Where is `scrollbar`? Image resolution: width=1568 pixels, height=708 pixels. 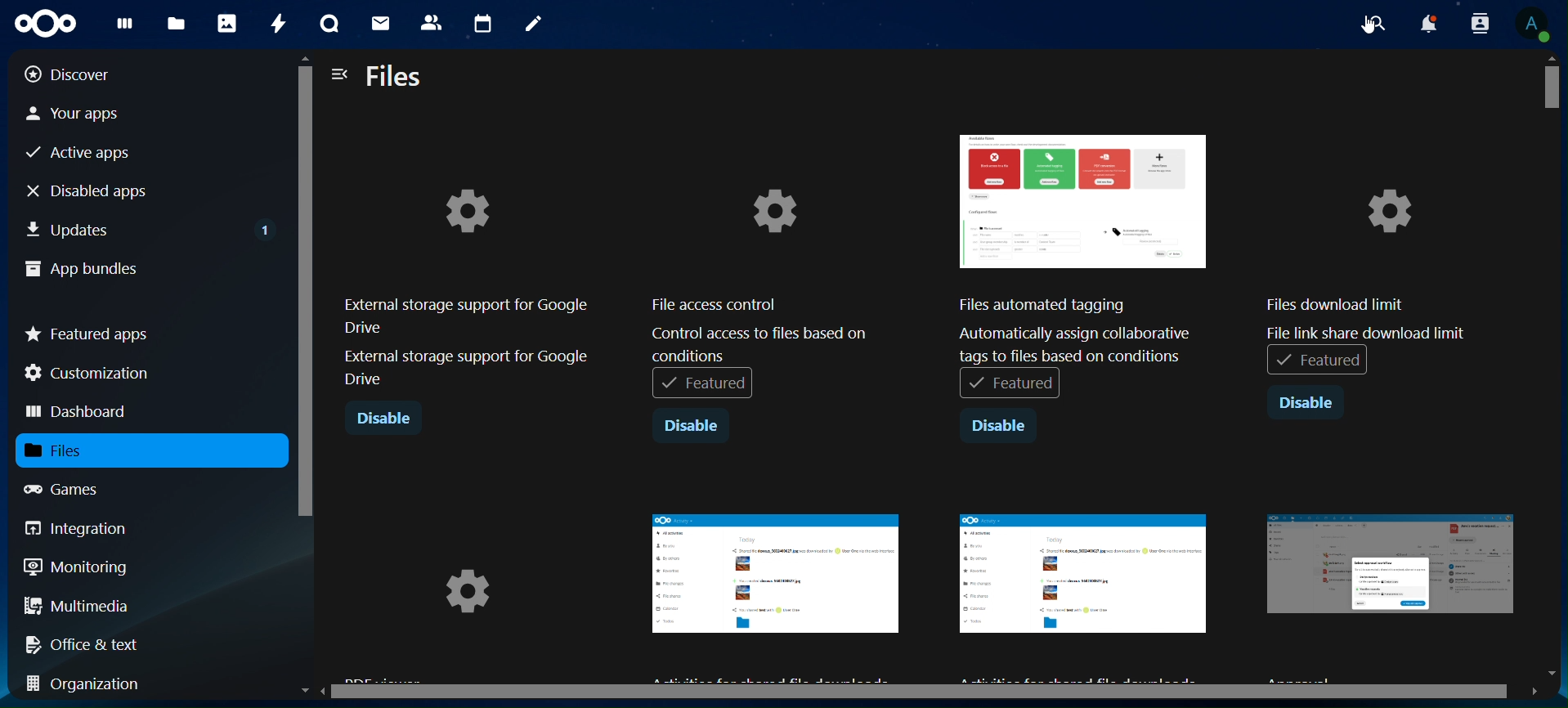
scrollbar is located at coordinates (304, 359).